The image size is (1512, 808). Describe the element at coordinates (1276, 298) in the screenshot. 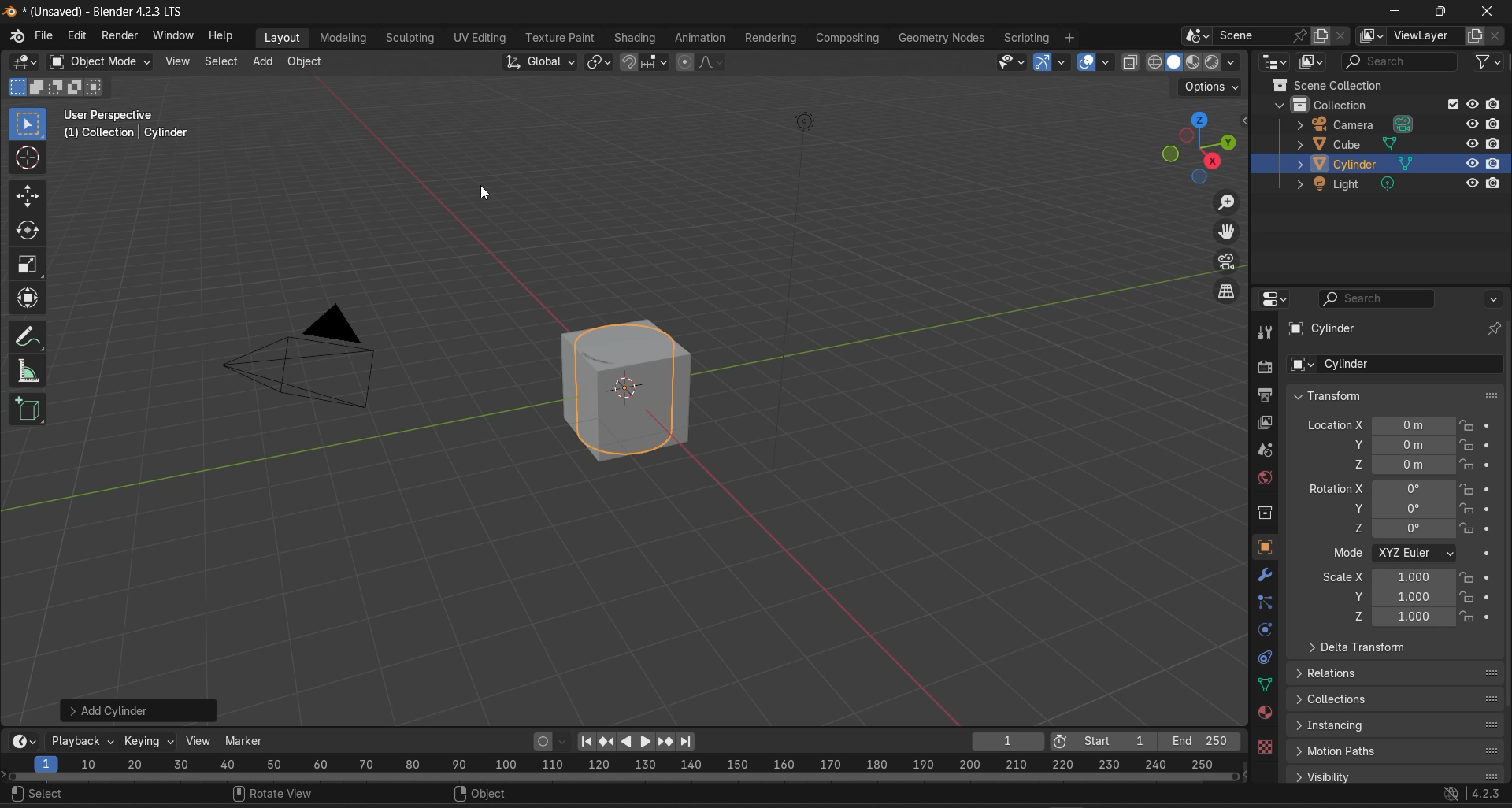

I see `editor type` at that location.